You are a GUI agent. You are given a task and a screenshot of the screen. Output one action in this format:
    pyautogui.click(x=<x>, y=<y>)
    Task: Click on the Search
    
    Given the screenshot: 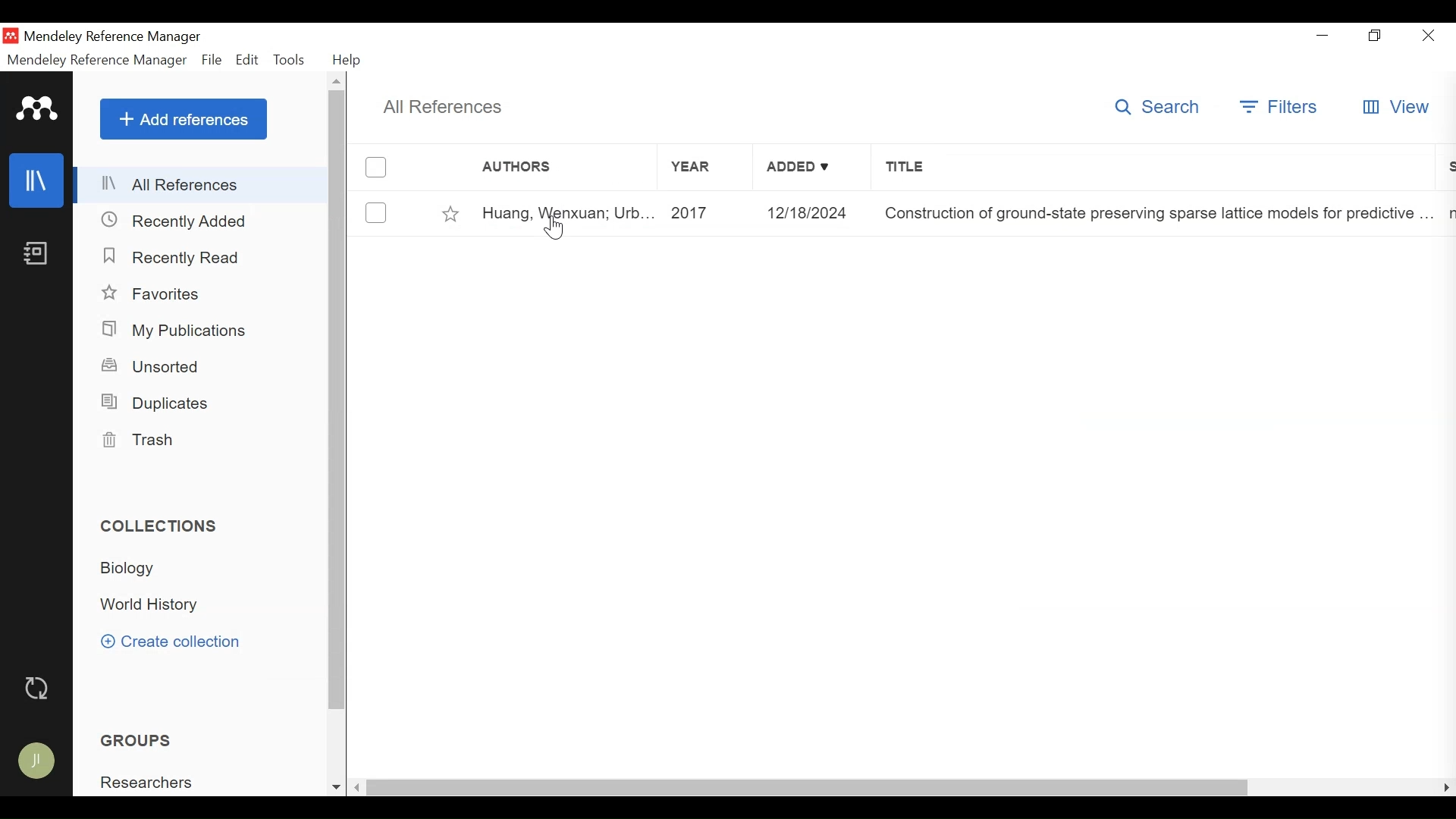 What is the action you would take?
    pyautogui.click(x=1158, y=107)
    